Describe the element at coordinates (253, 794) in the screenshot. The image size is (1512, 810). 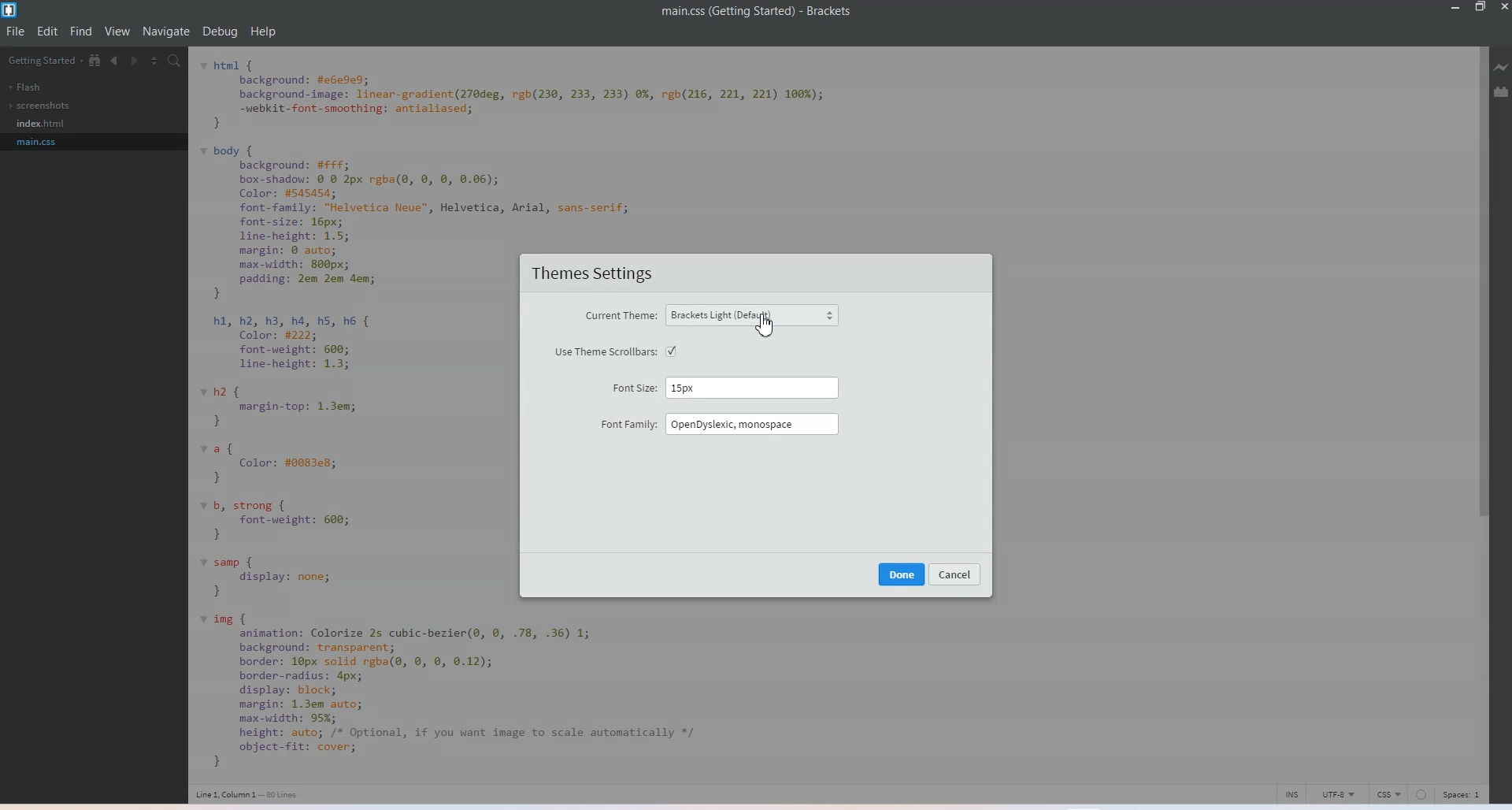
I see `Text 3 ` at that location.